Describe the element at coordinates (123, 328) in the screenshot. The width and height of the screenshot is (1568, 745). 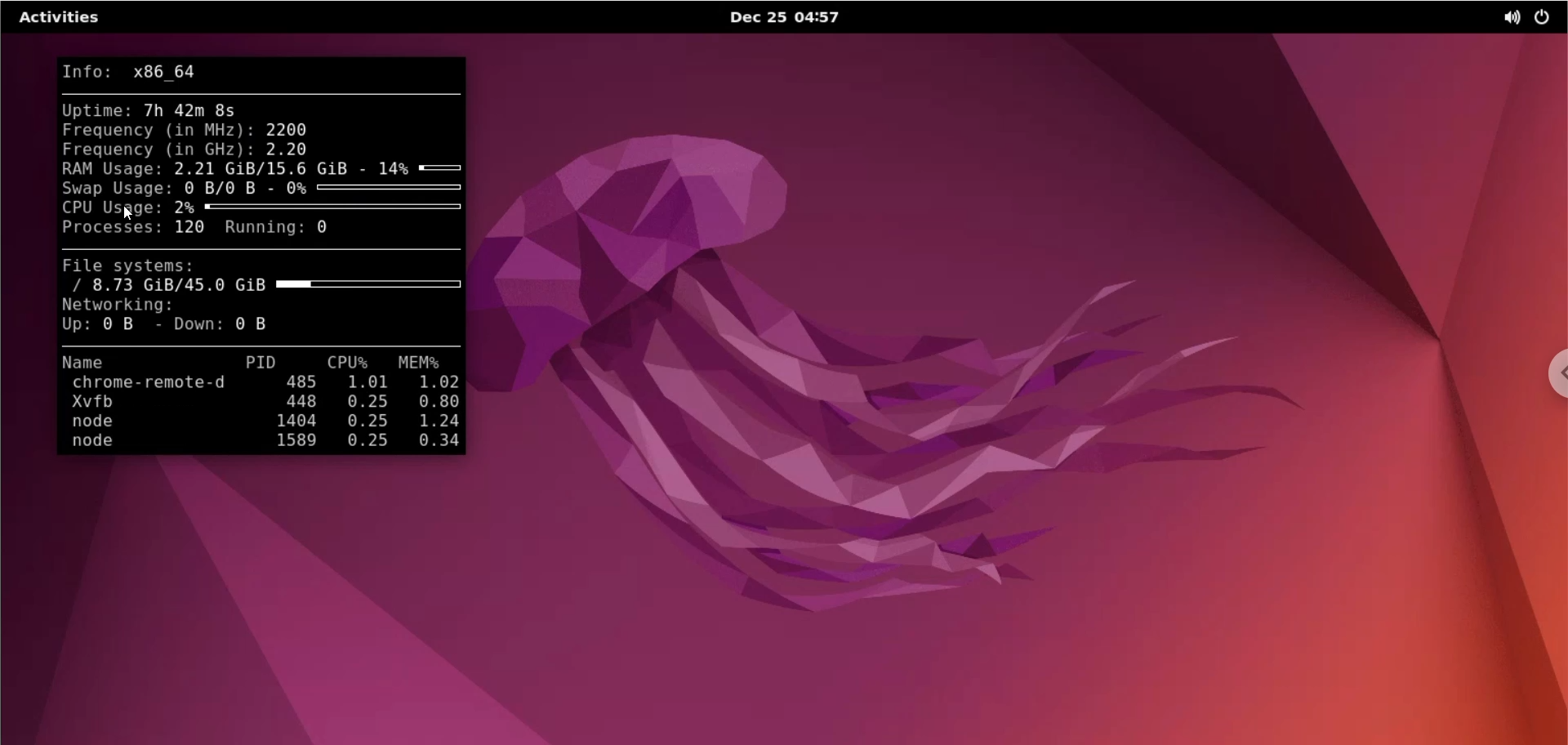
I see `0B ` at that location.